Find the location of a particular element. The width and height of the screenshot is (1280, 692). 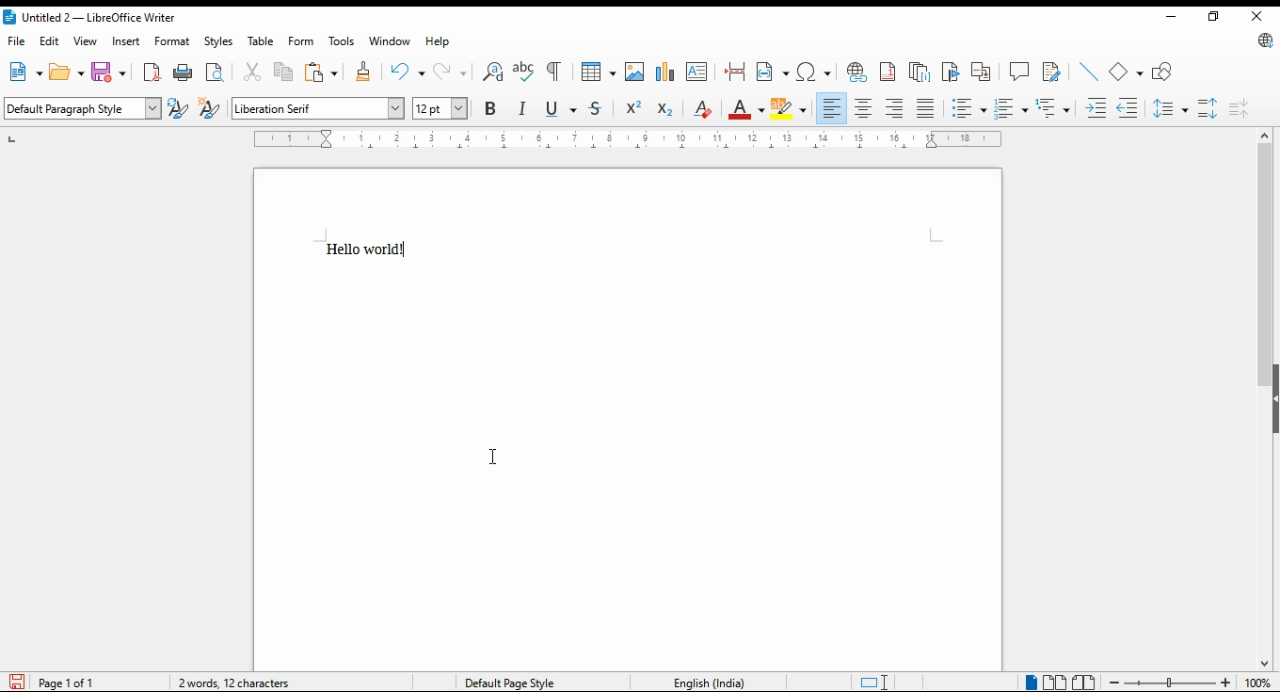

minimize is located at coordinates (1172, 15).